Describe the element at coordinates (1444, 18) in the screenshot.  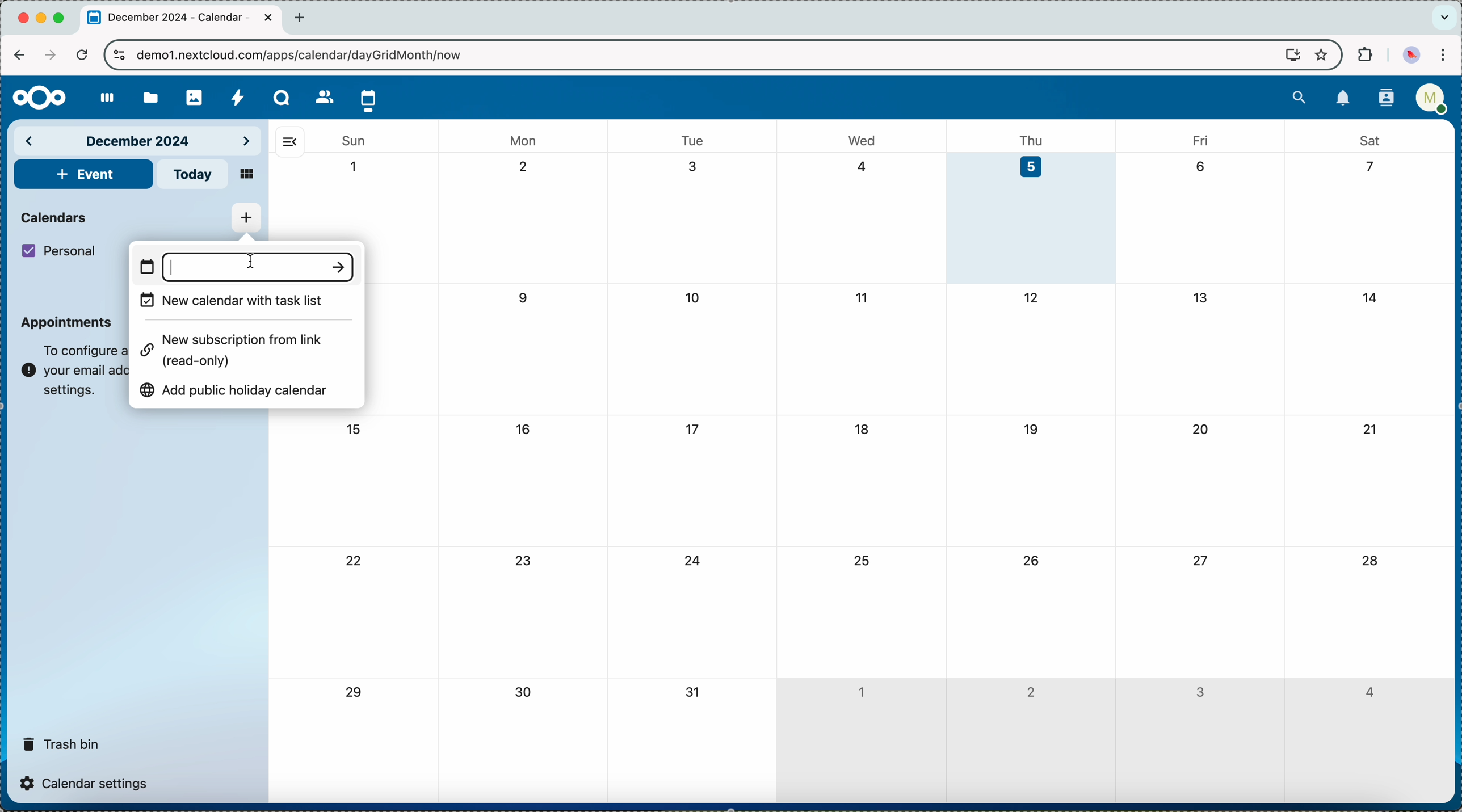
I see `search tabs` at that location.